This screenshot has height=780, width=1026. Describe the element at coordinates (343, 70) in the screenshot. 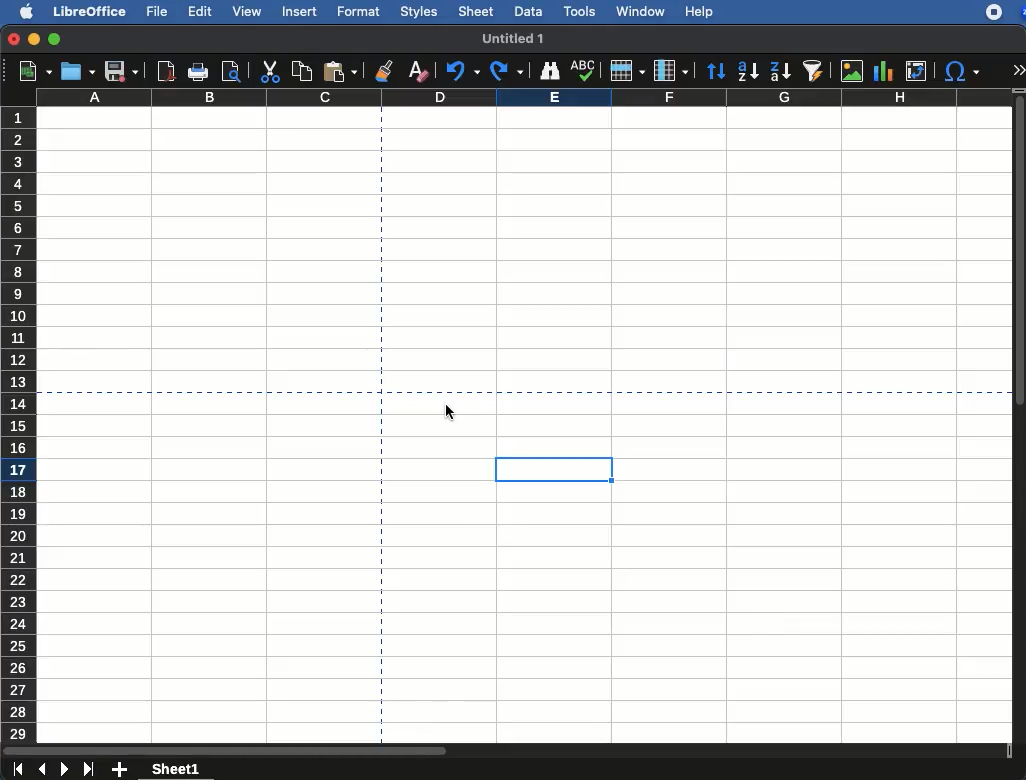

I see `paste` at that location.